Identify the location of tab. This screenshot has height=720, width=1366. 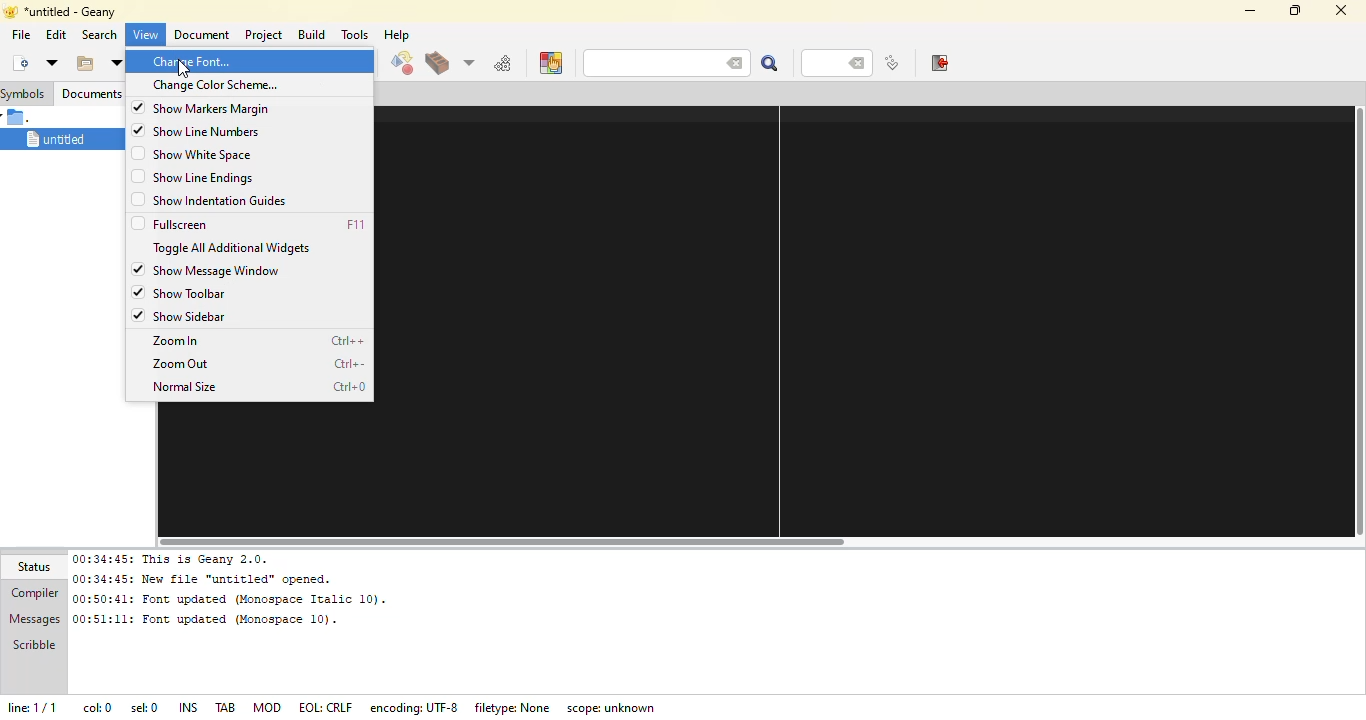
(226, 707).